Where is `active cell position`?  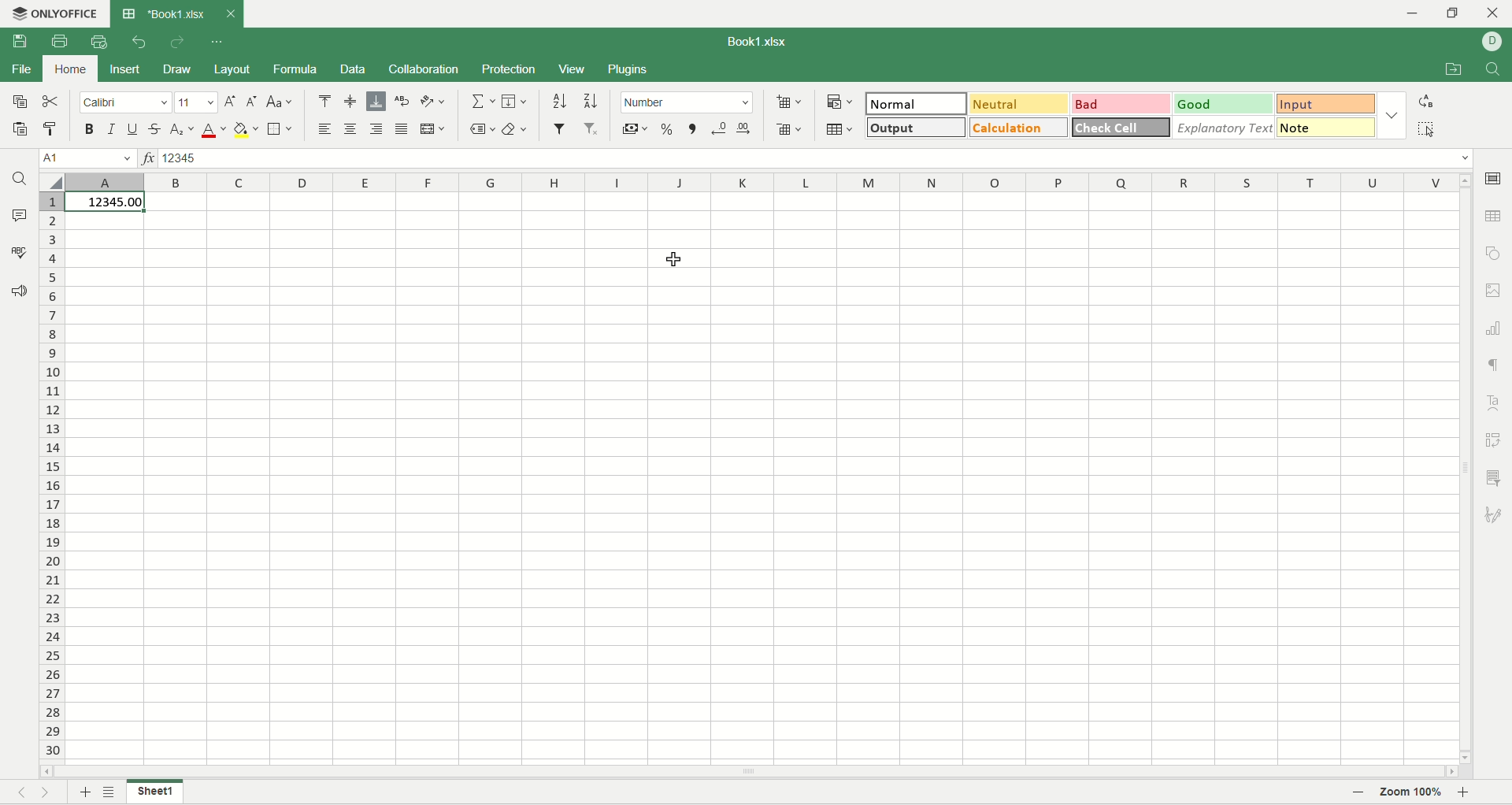 active cell position is located at coordinates (88, 159).